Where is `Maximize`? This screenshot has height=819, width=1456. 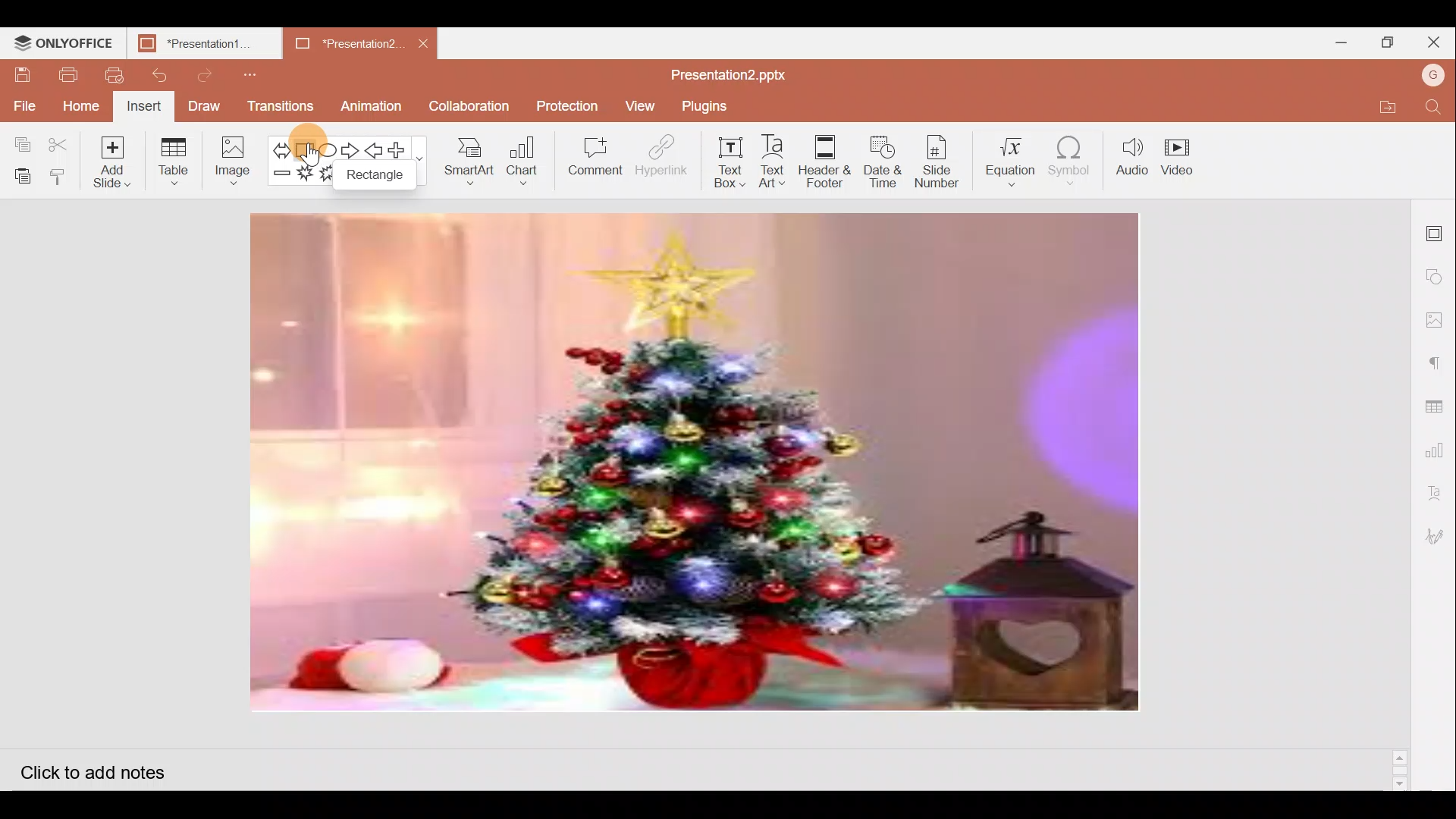 Maximize is located at coordinates (1386, 41).